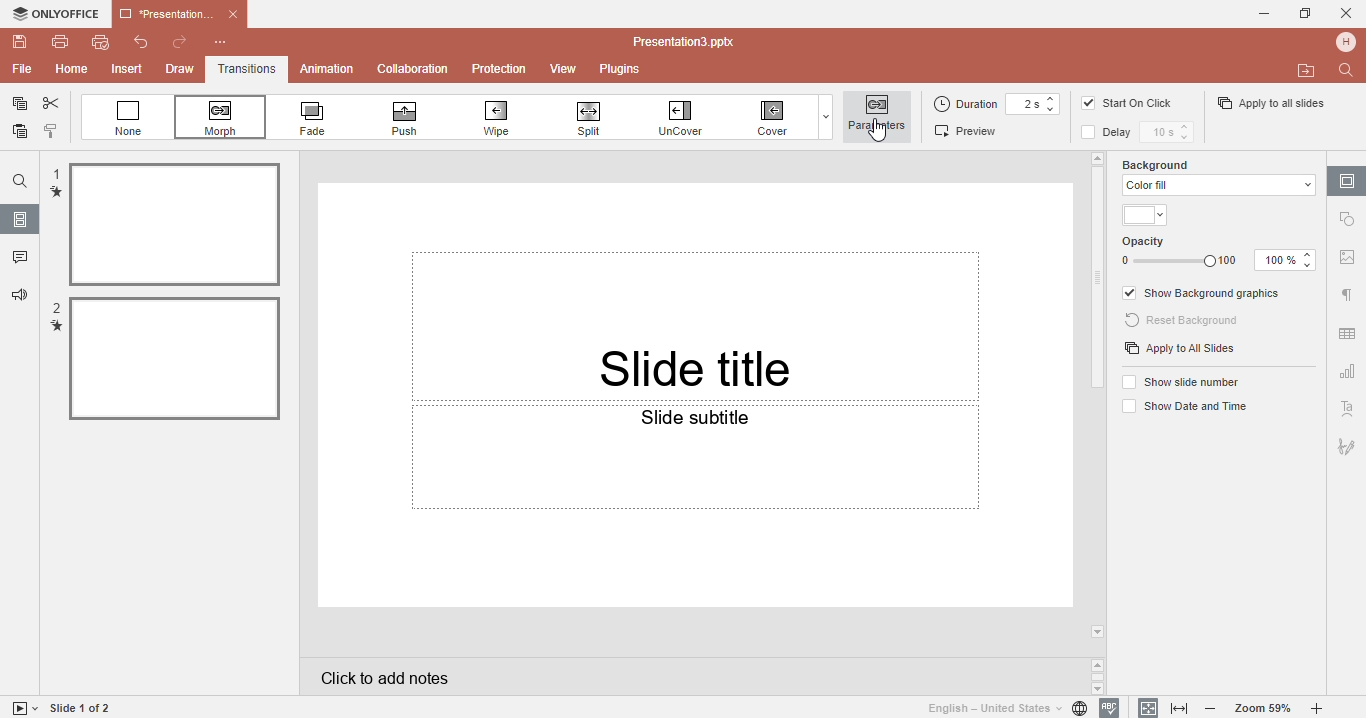 The height and width of the screenshot is (718, 1366). What do you see at coordinates (882, 132) in the screenshot?
I see `Cursor on parameters` at bounding box center [882, 132].